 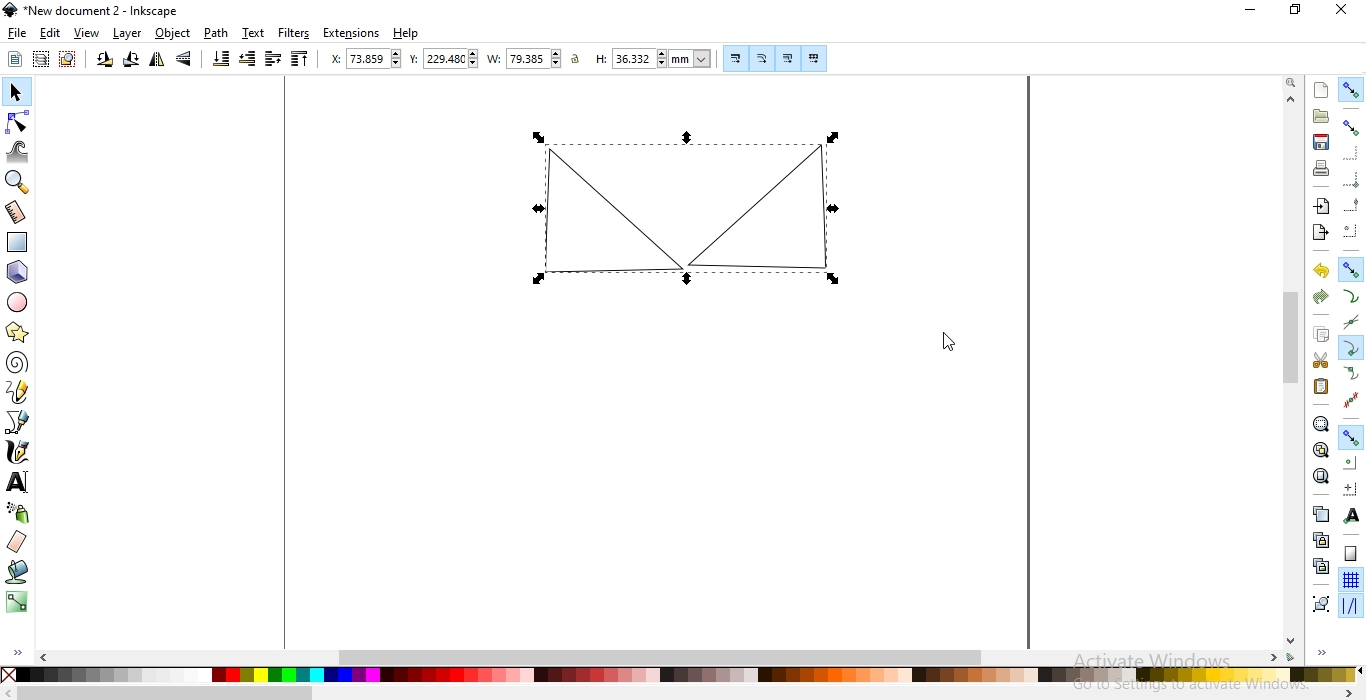 What do you see at coordinates (155, 60) in the screenshot?
I see `flip horizontally` at bounding box center [155, 60].